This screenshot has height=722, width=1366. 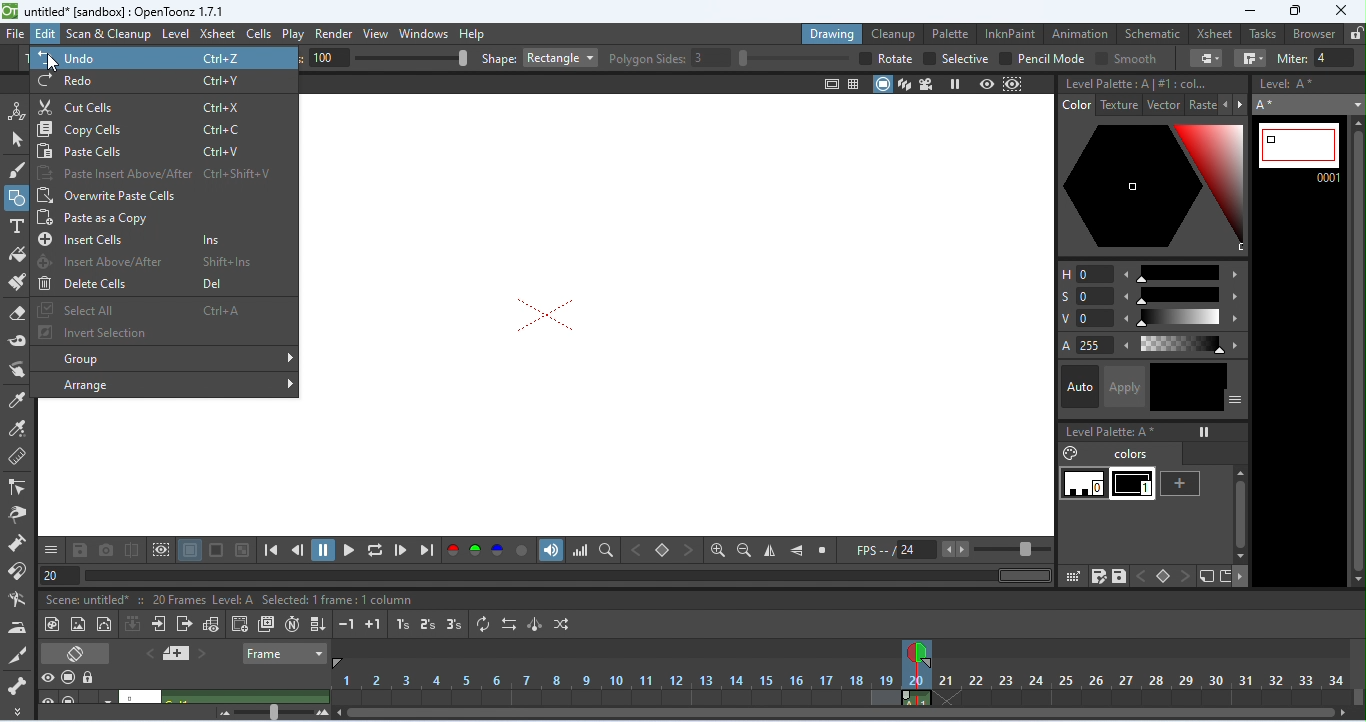 What do you see at coordinates (161, 107) in the screenshot?
I see `cut cells` at bounding box center [161, 107].